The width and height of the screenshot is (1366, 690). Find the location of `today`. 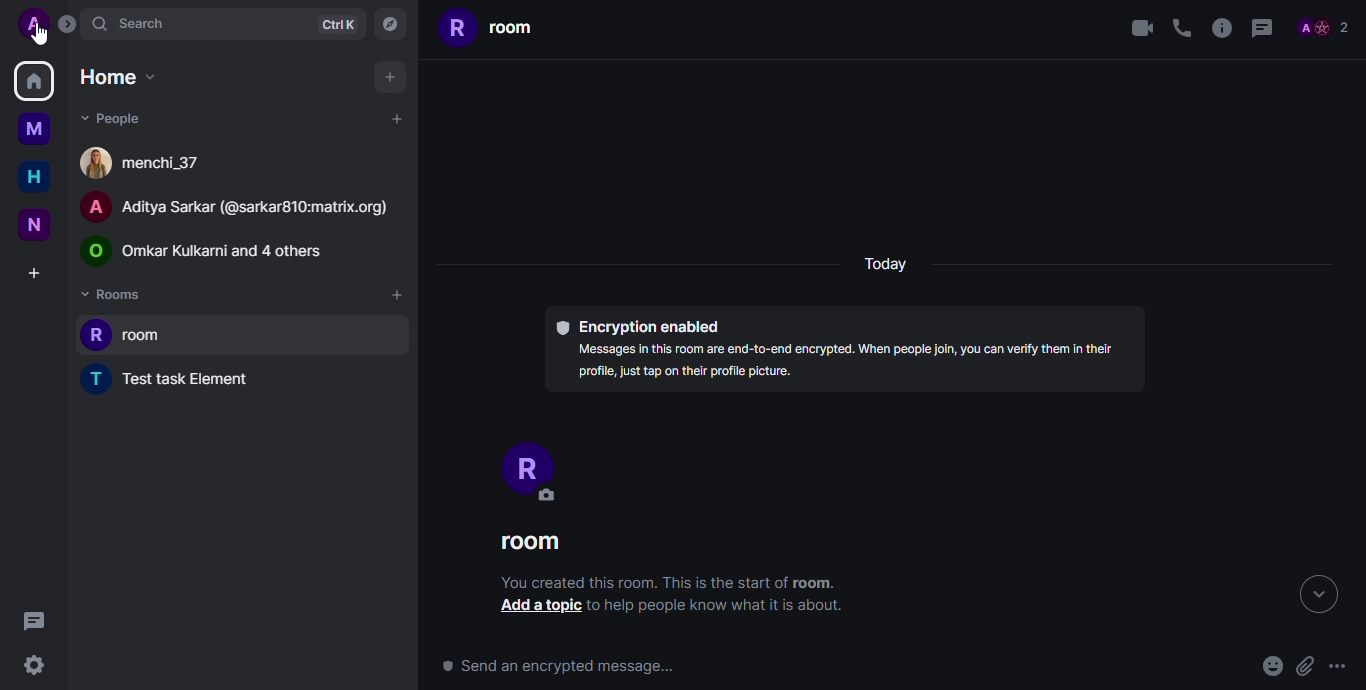

today is located at coordinates (888, 261).